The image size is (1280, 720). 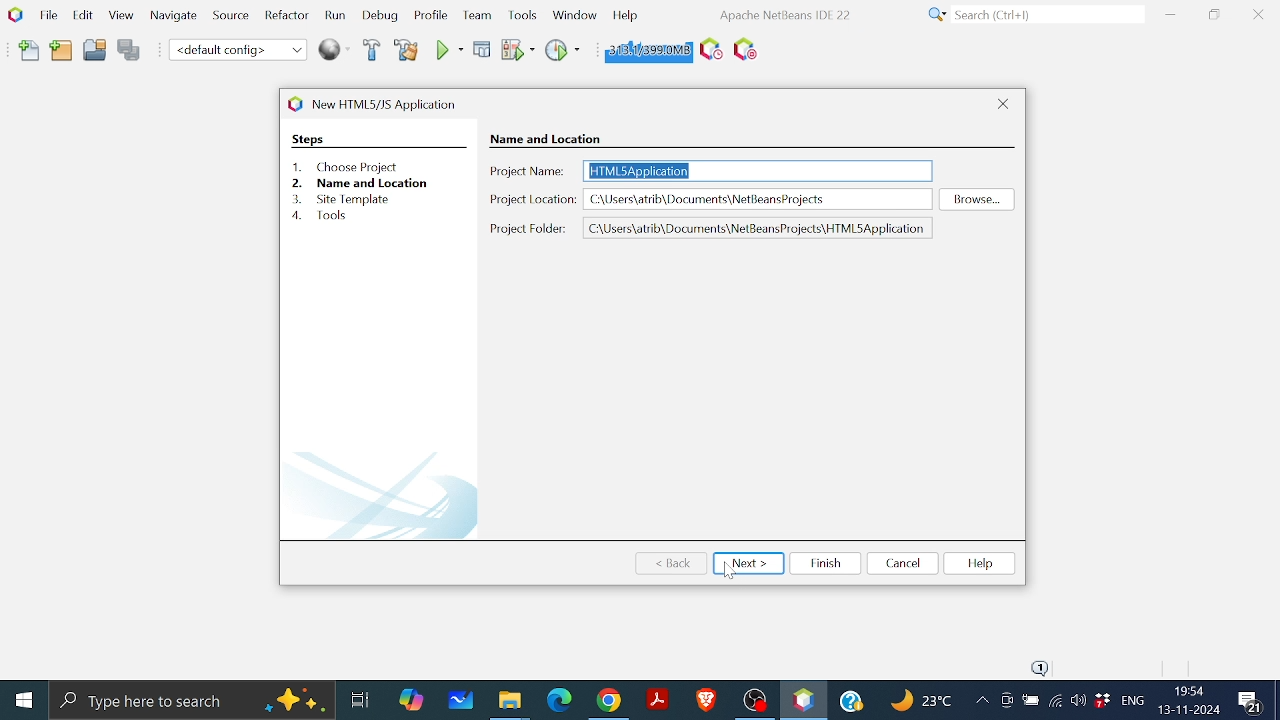 I want to click on Run, so click(x=448, y=50).